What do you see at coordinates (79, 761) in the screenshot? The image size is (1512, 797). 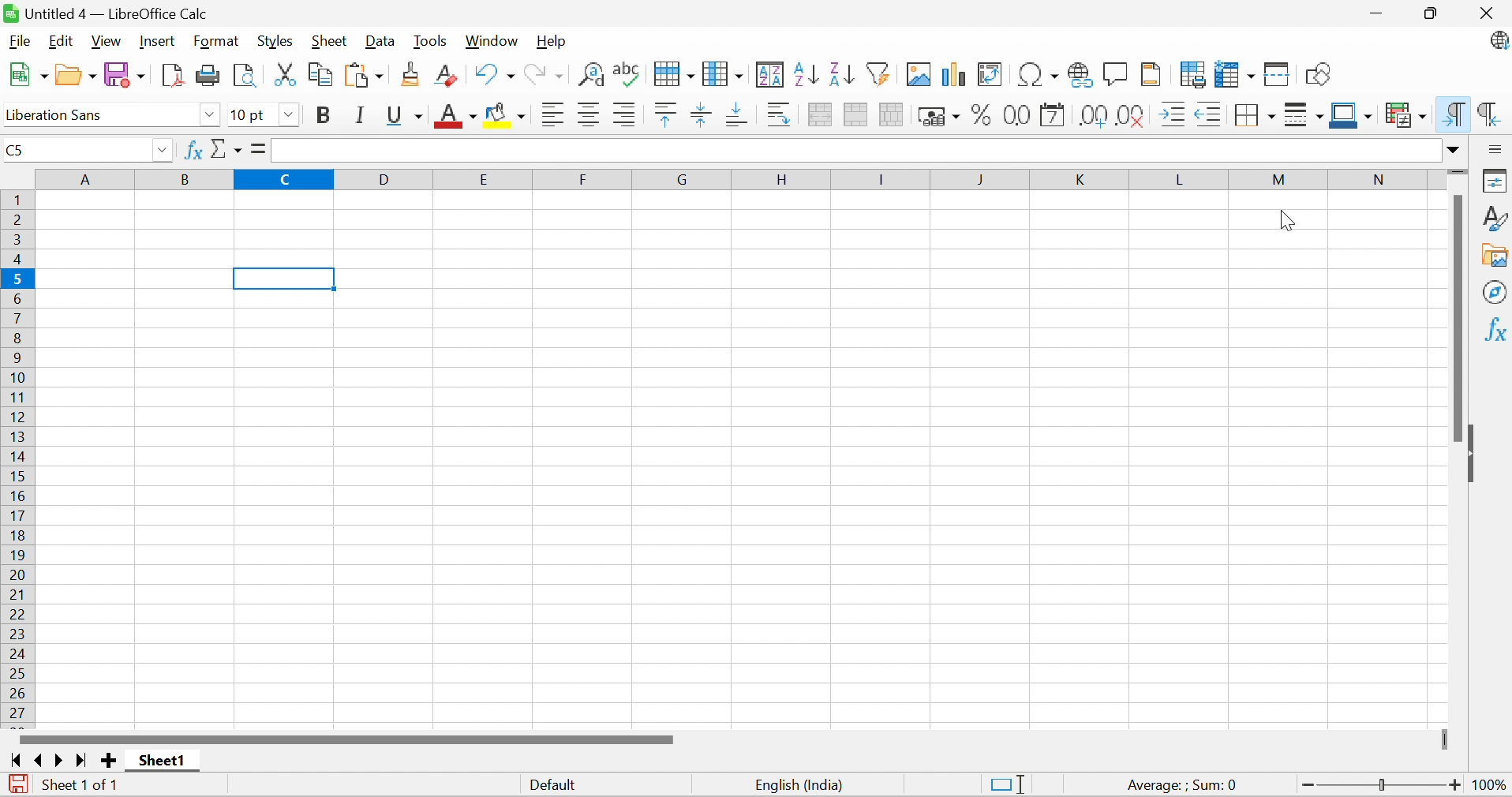 I see `Scroll to last sheet` at bounding box center [79, 761].